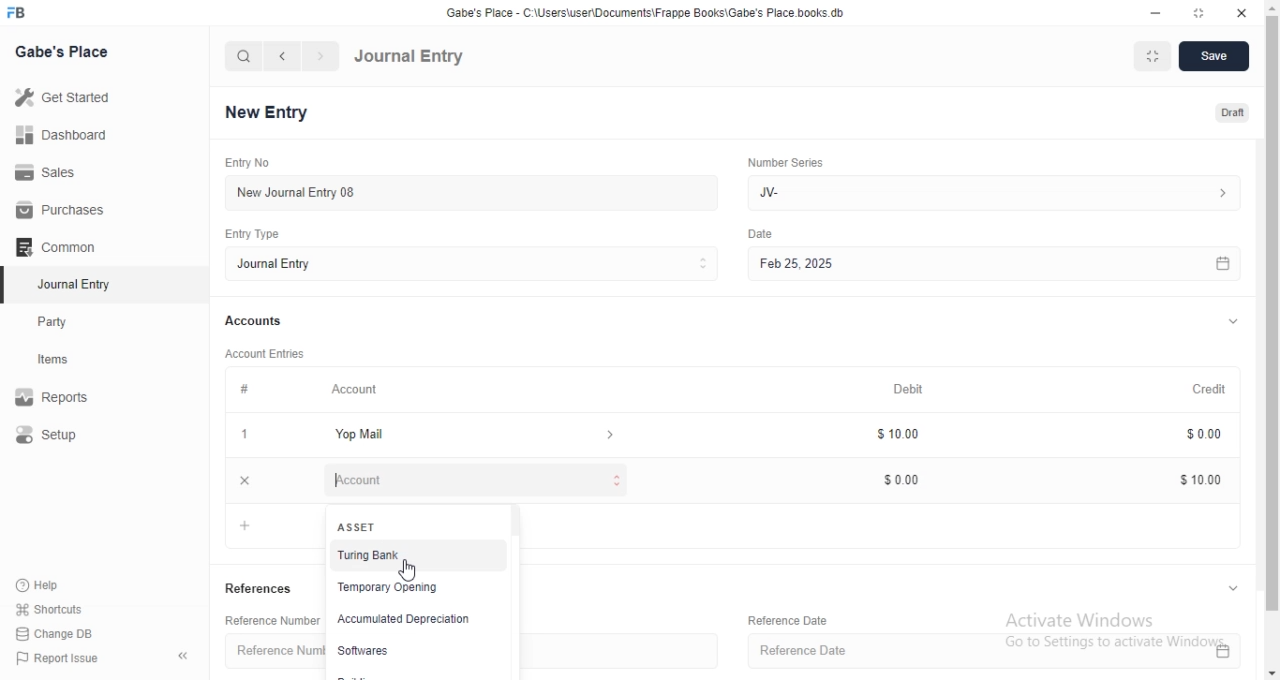 The width and height of the screenshot is (1280, 680). Describe the element at coordinates (266, 111) in the screenshot. I see `New Entry` at that location.